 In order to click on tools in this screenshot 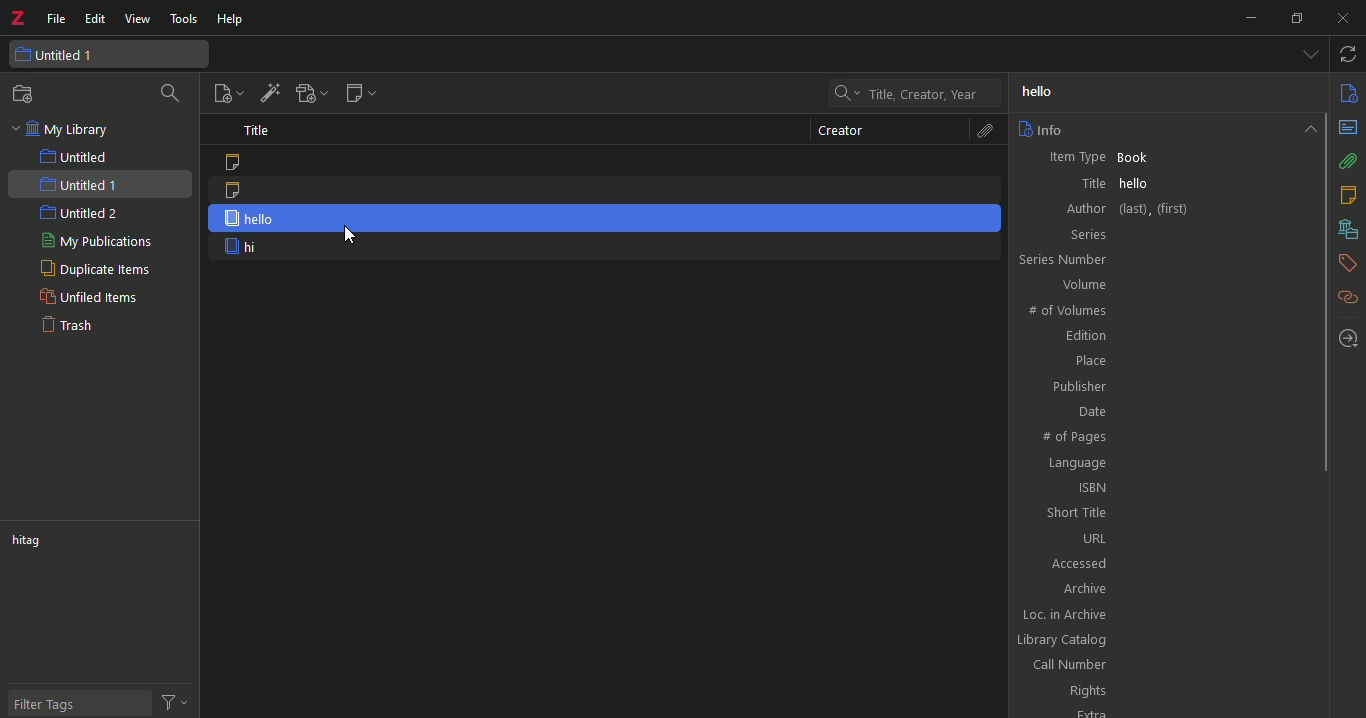, I will do `click(186, 19)`.